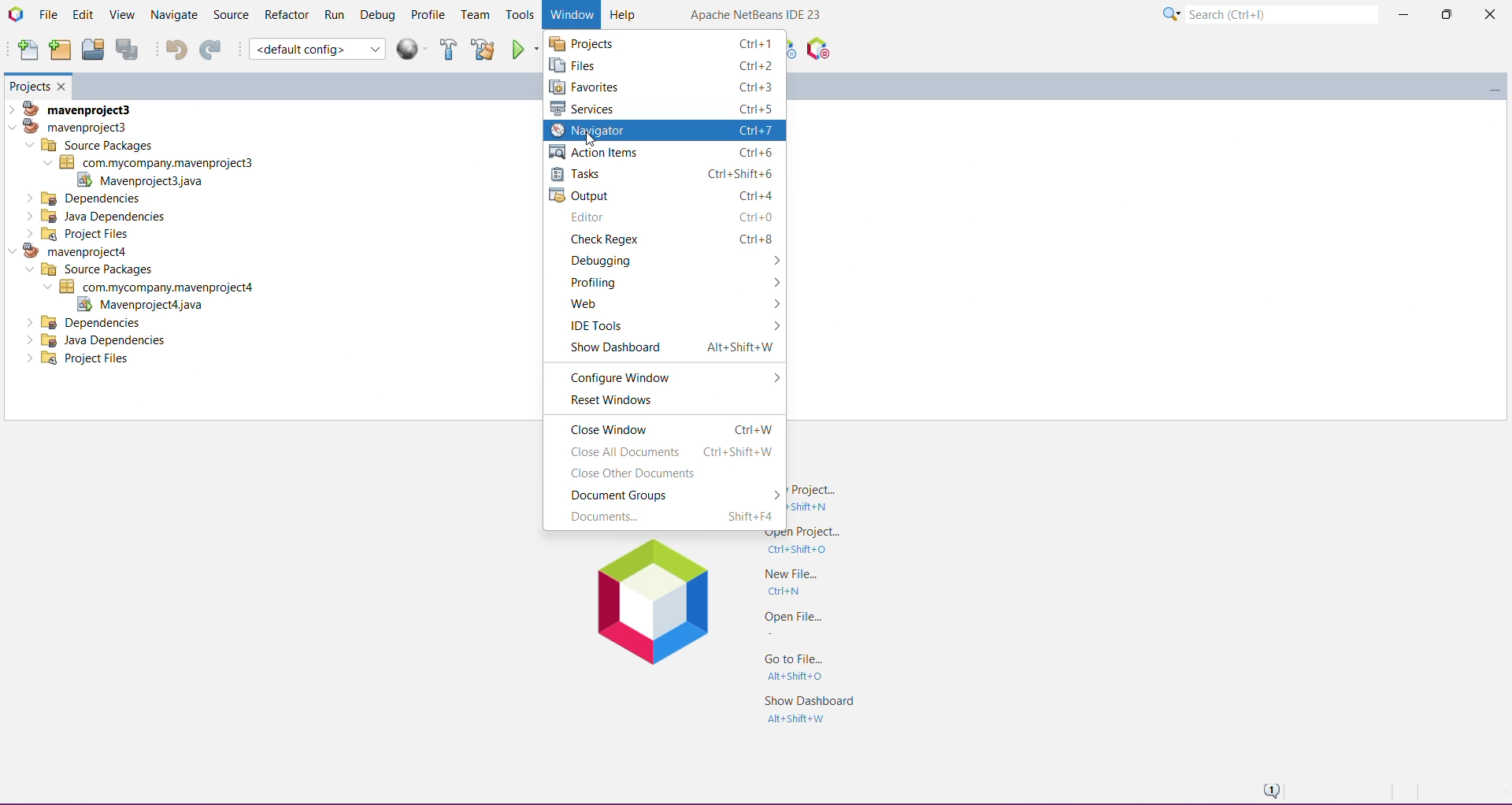  Describe the element at coordinates (91, 145) in the screenshot. I see `Source Packages` at that location.